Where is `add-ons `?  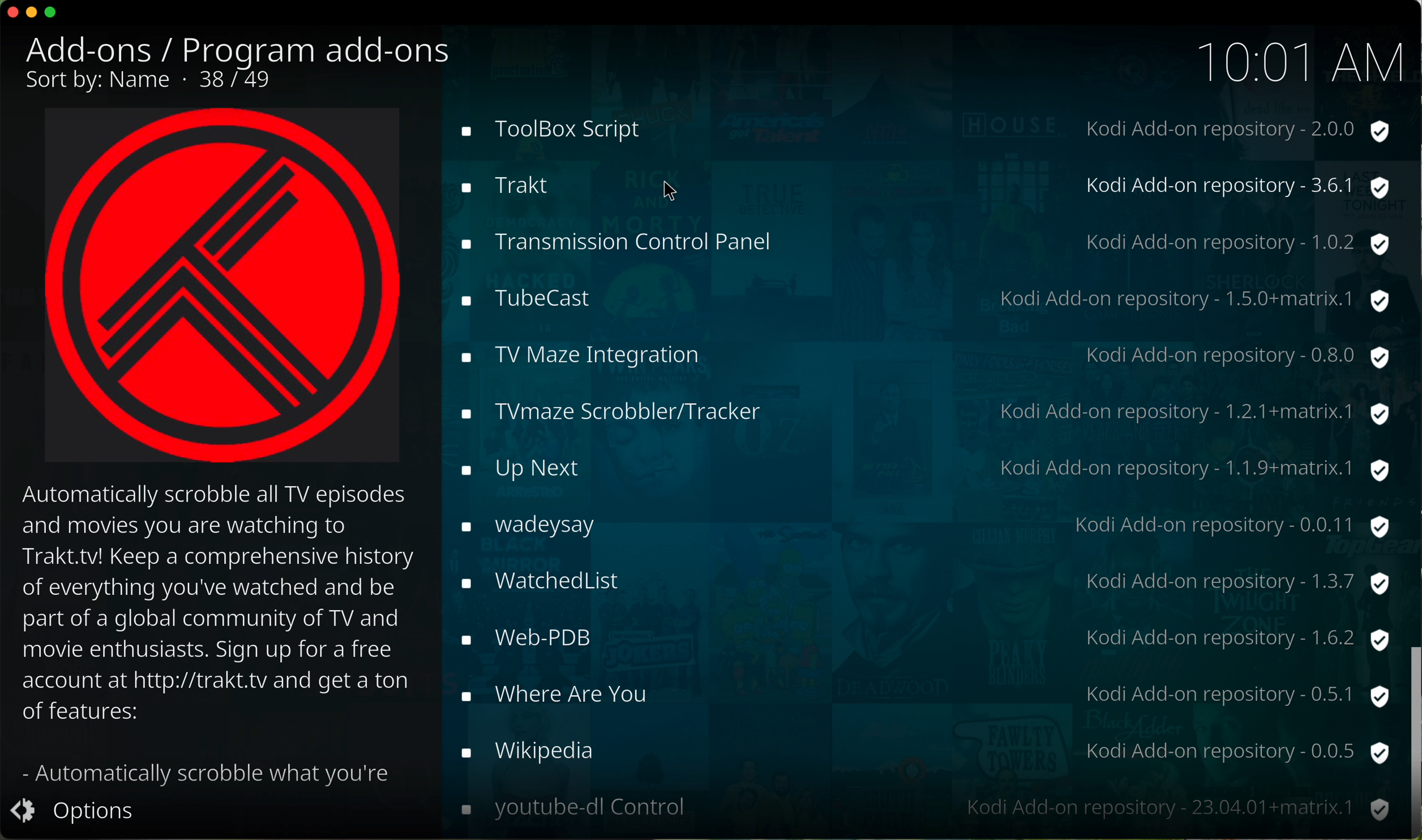
add-ons  is located at coordinates (102, 50).